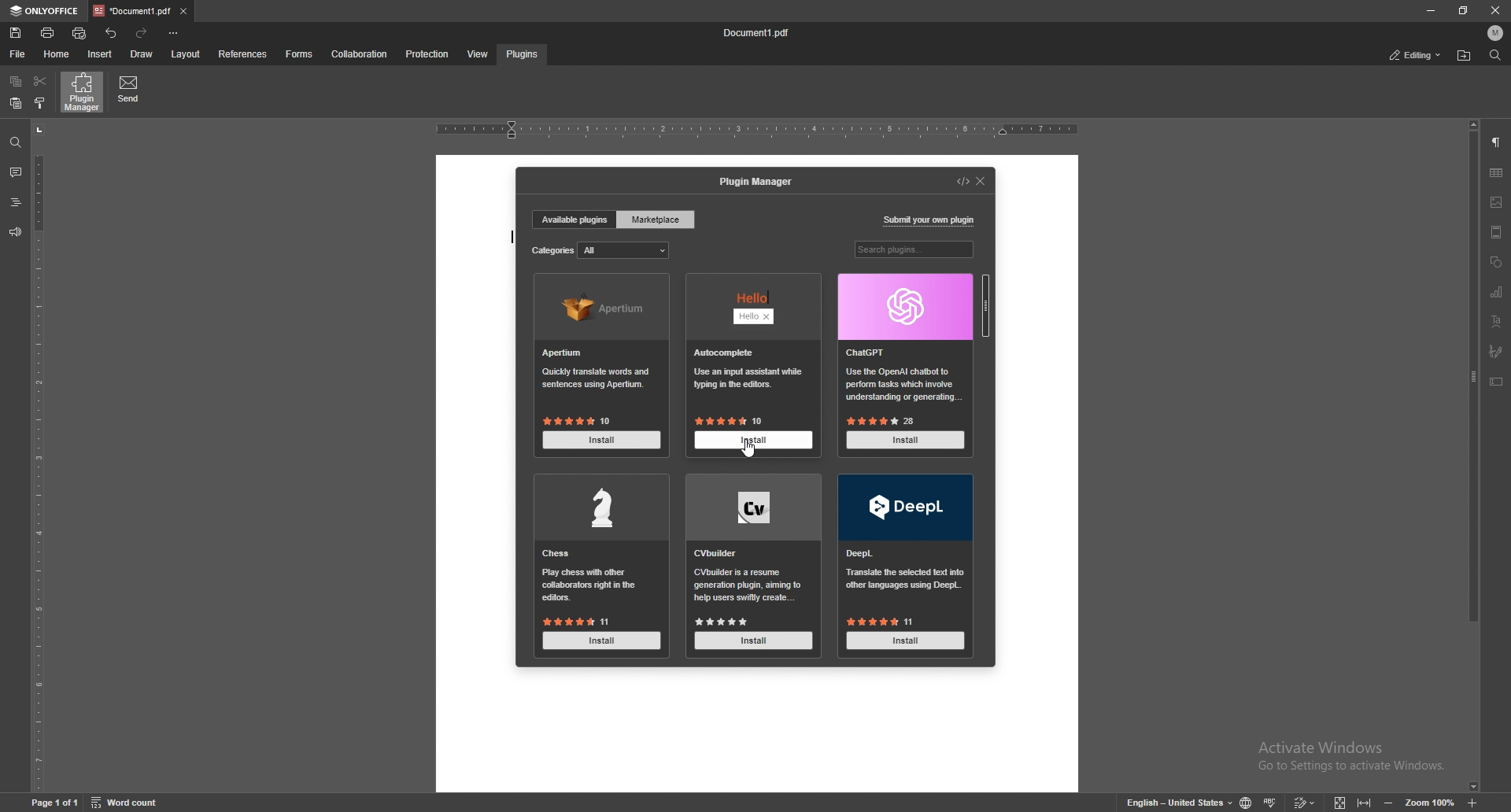 The image size is (1511, 812). What do you see at coordinates (184, 12) in the screenshot?
I see `close tab` at bounding box center [184, 12].